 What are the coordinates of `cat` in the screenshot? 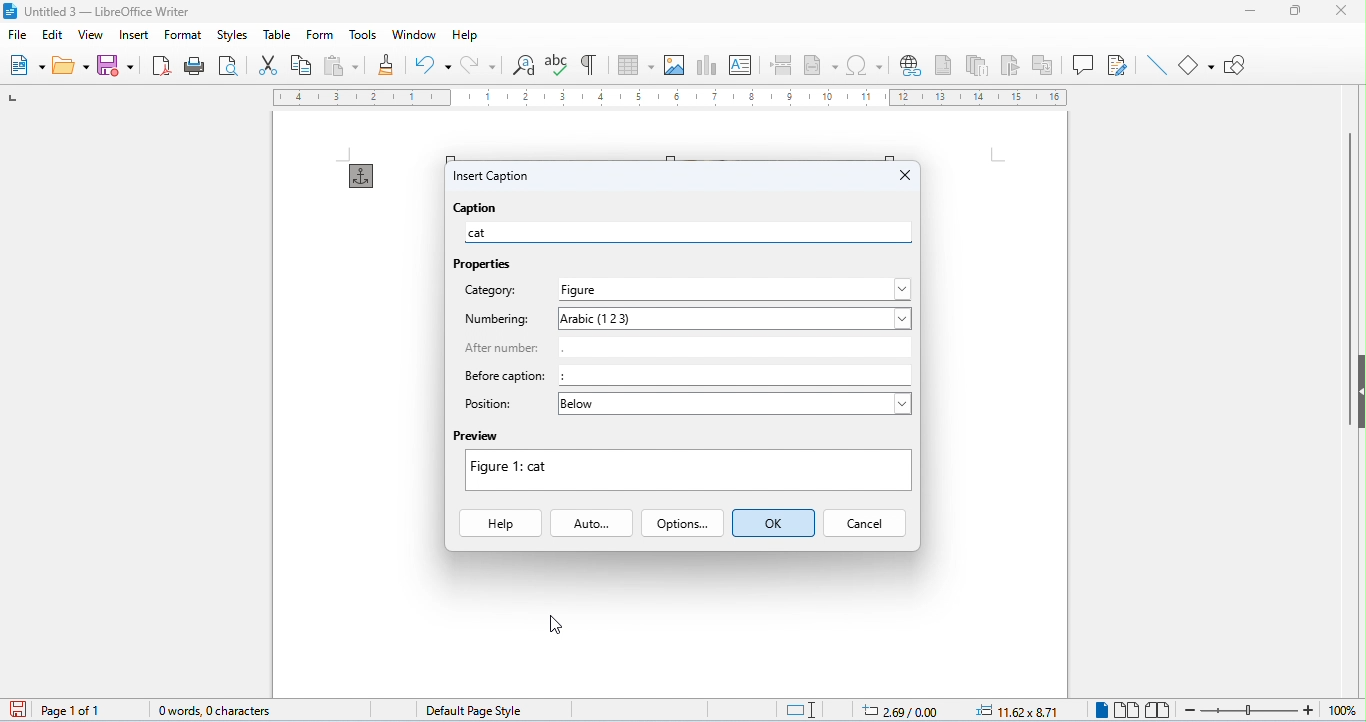 It's located at (484, 234).